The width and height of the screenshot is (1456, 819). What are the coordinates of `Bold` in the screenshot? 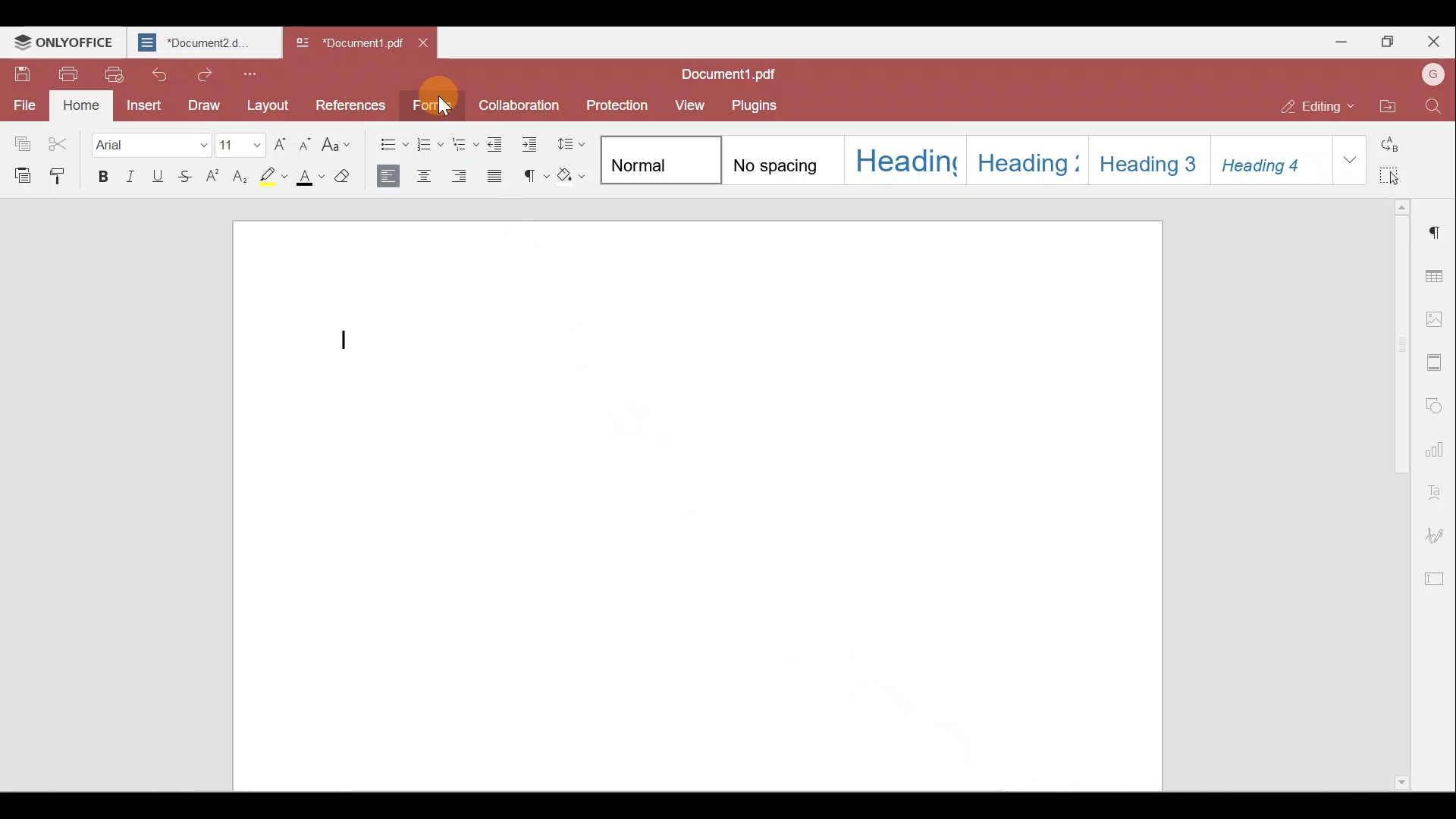 It's located at (103, 177).